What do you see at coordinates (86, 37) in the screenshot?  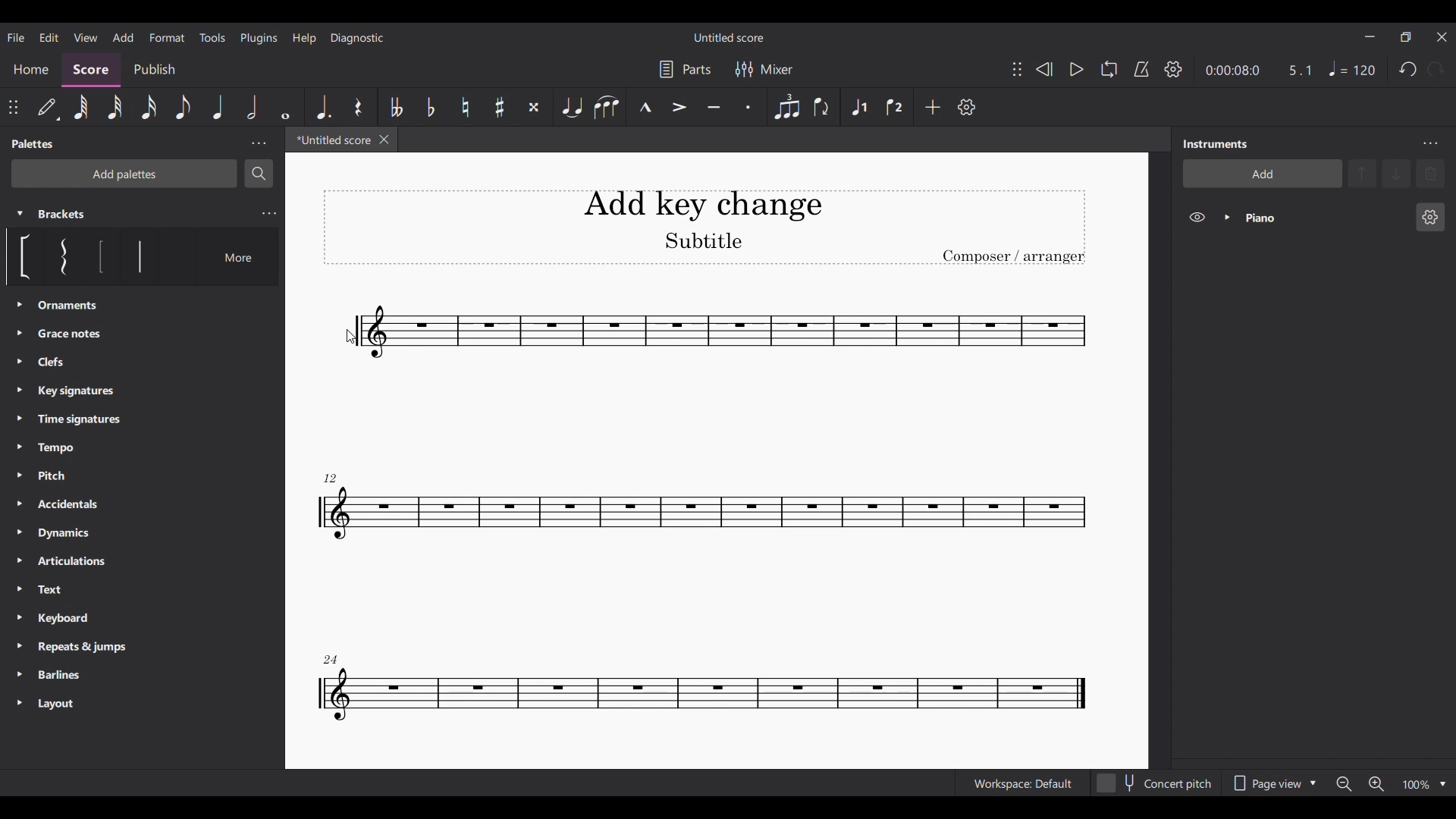 I see `View menu` at bounding box center [86, 37].